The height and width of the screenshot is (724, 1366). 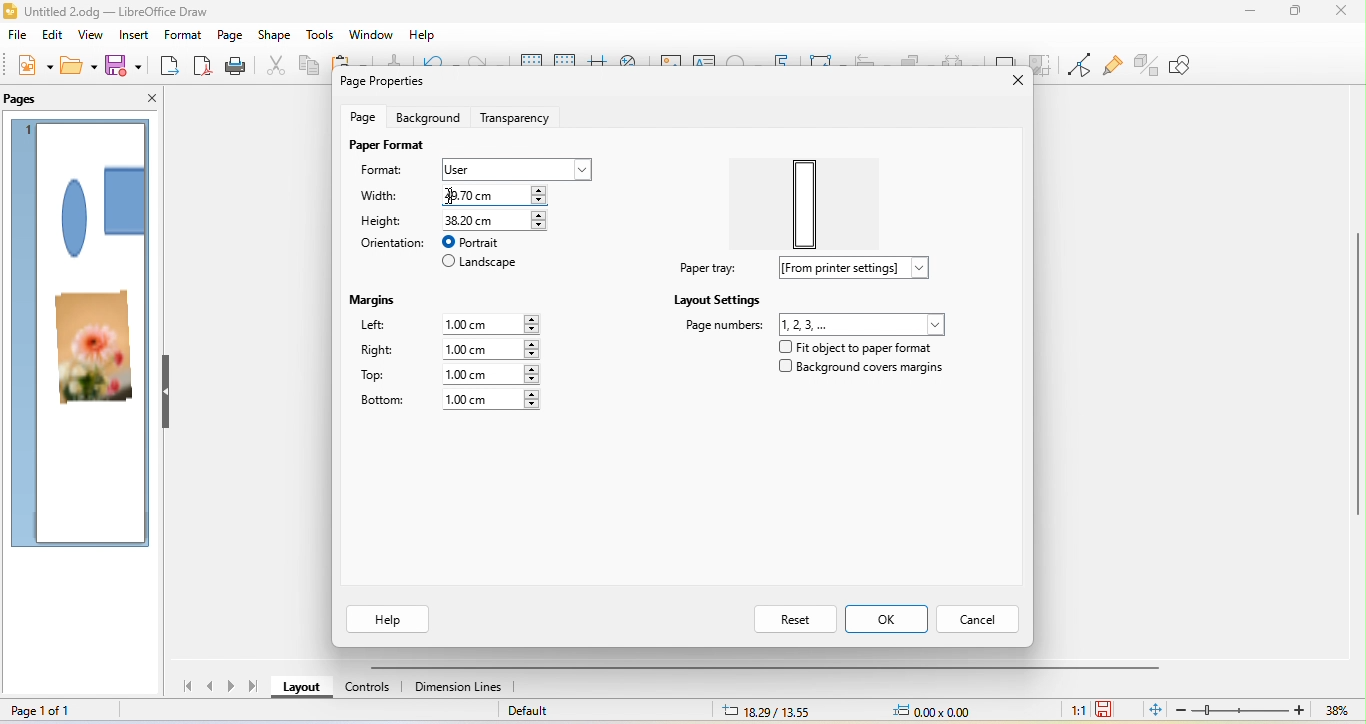 I want to click on zoom, so click(x=1265, y=711).